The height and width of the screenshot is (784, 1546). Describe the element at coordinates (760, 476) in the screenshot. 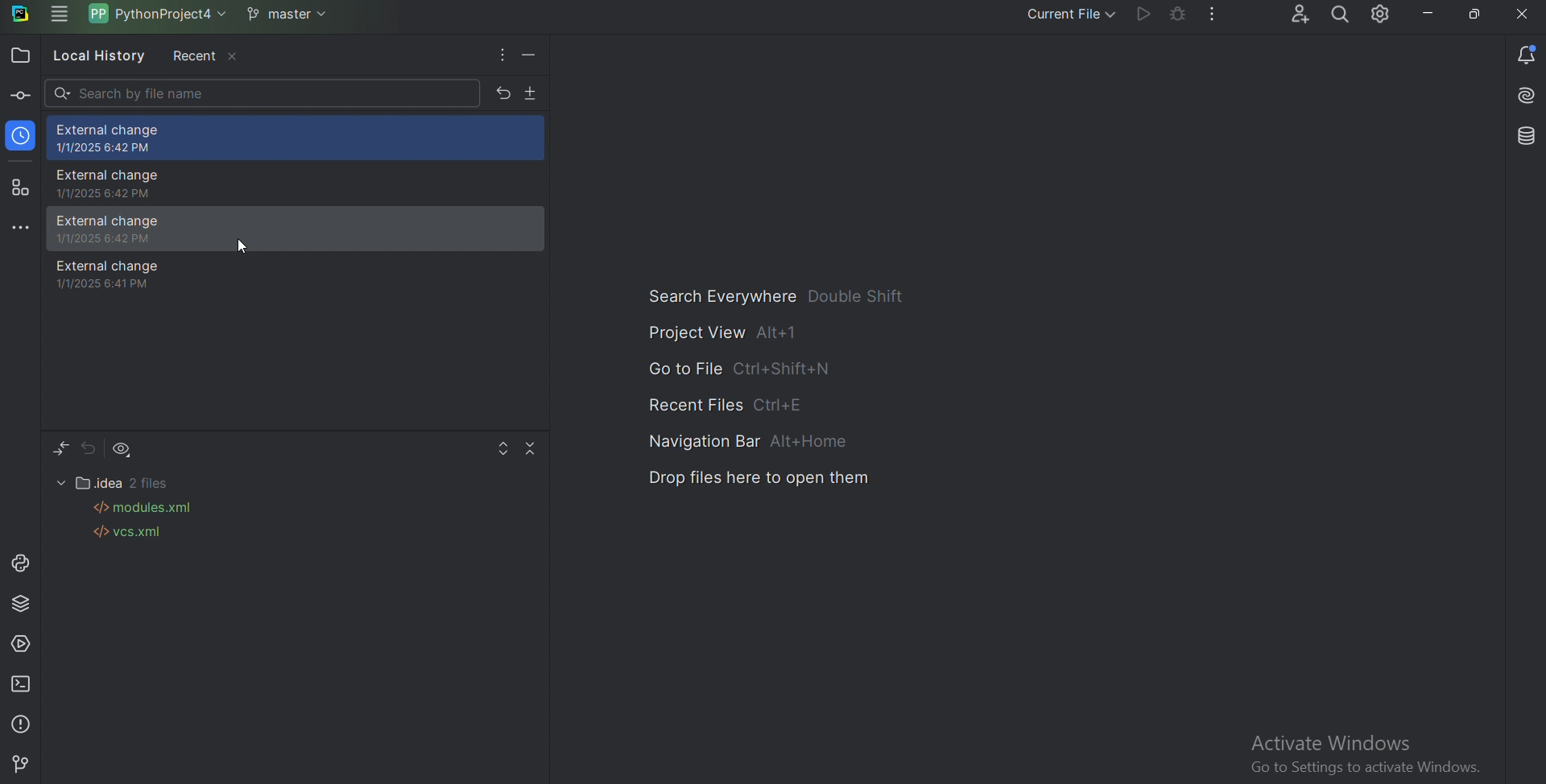

I see `Drop files here to open them` at that location.